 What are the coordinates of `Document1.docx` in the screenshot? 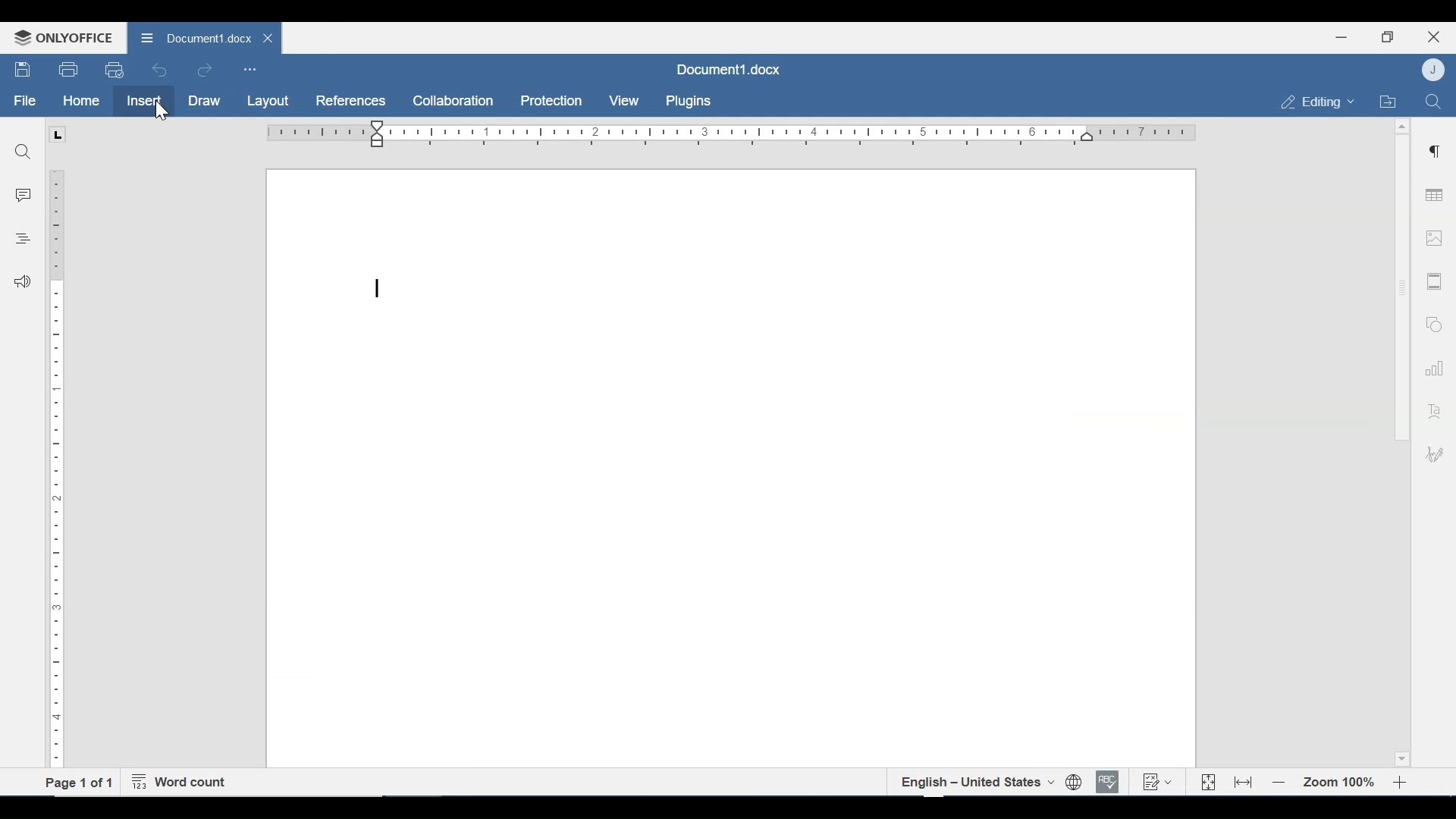 It's located at (726, 68).